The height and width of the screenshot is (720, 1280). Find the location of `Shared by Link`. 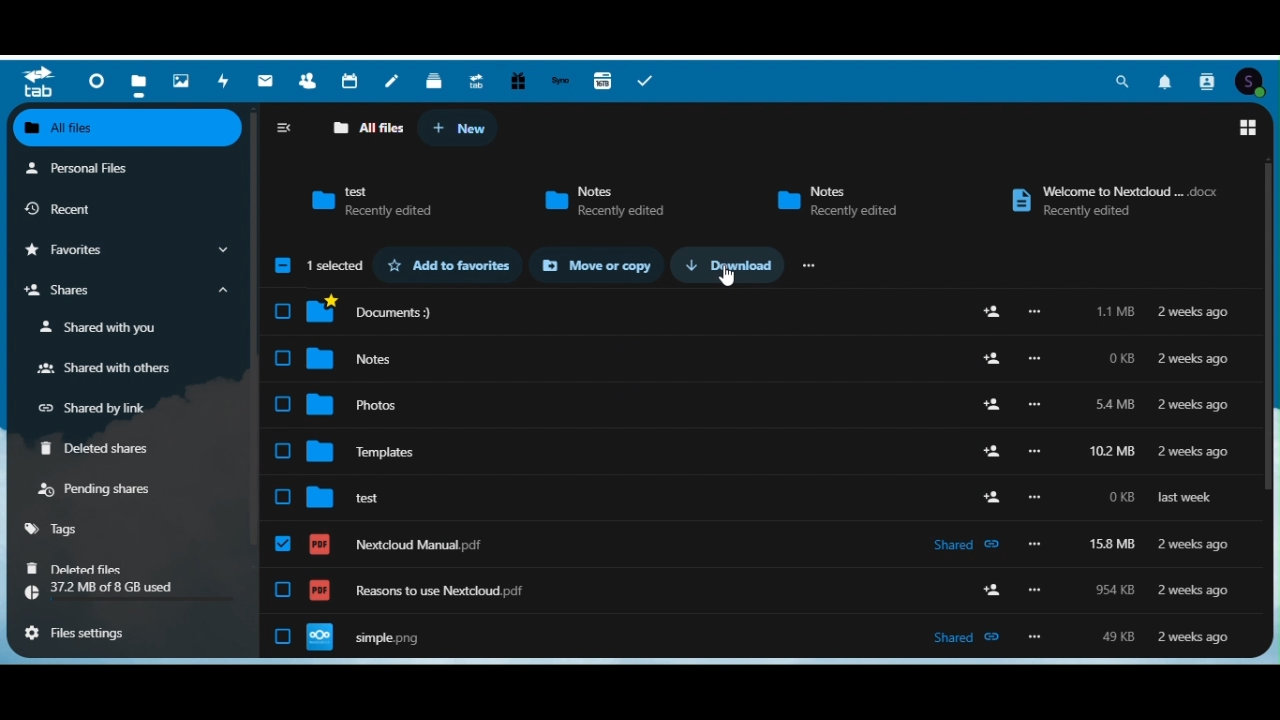

Shared by Link is located at coordinates (96, 409).